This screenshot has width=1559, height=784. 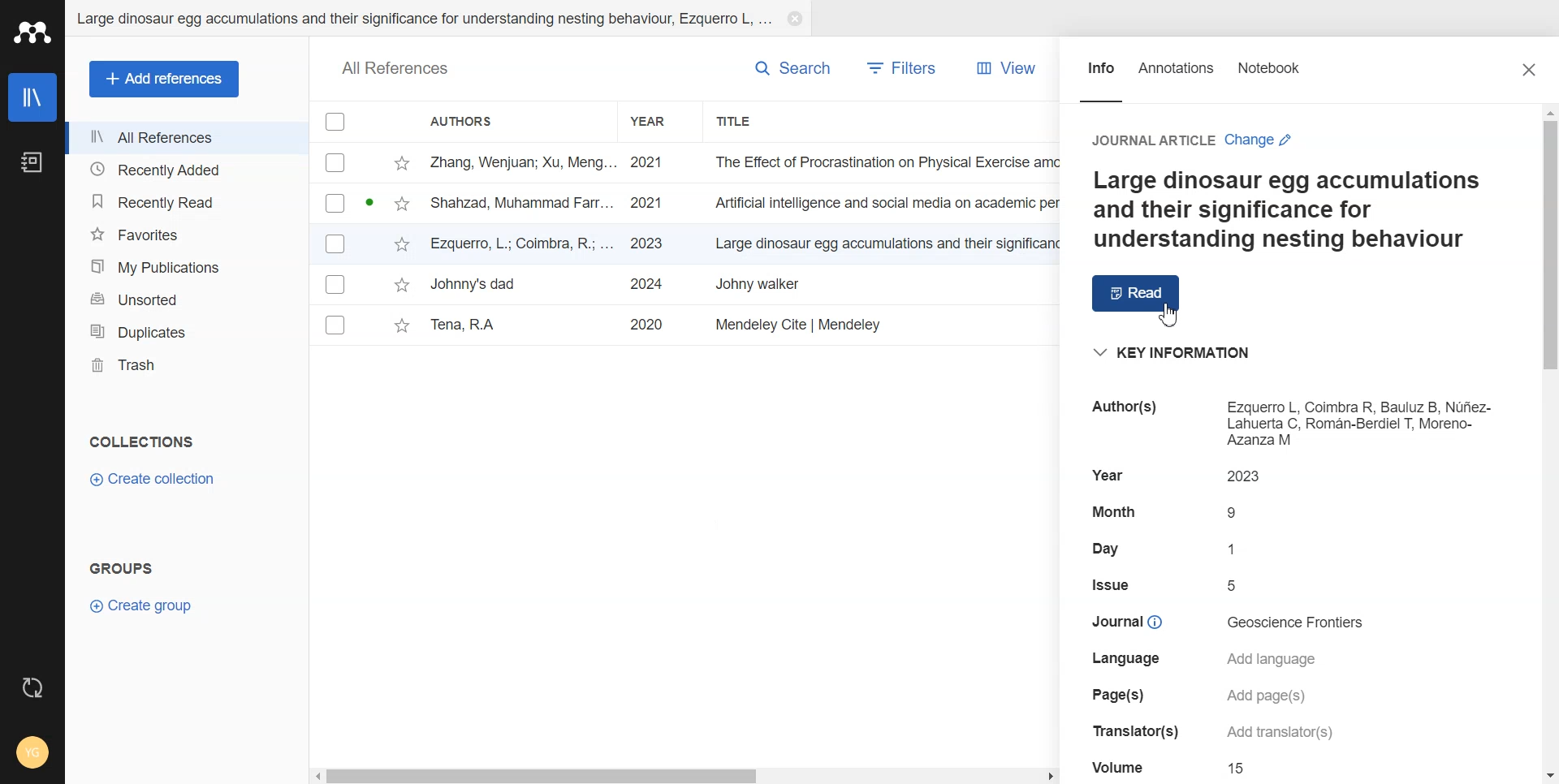 What do you see at coordinates (1285, 211) in the screenshot?
I see `Text` at bounding box center [1285, 211].